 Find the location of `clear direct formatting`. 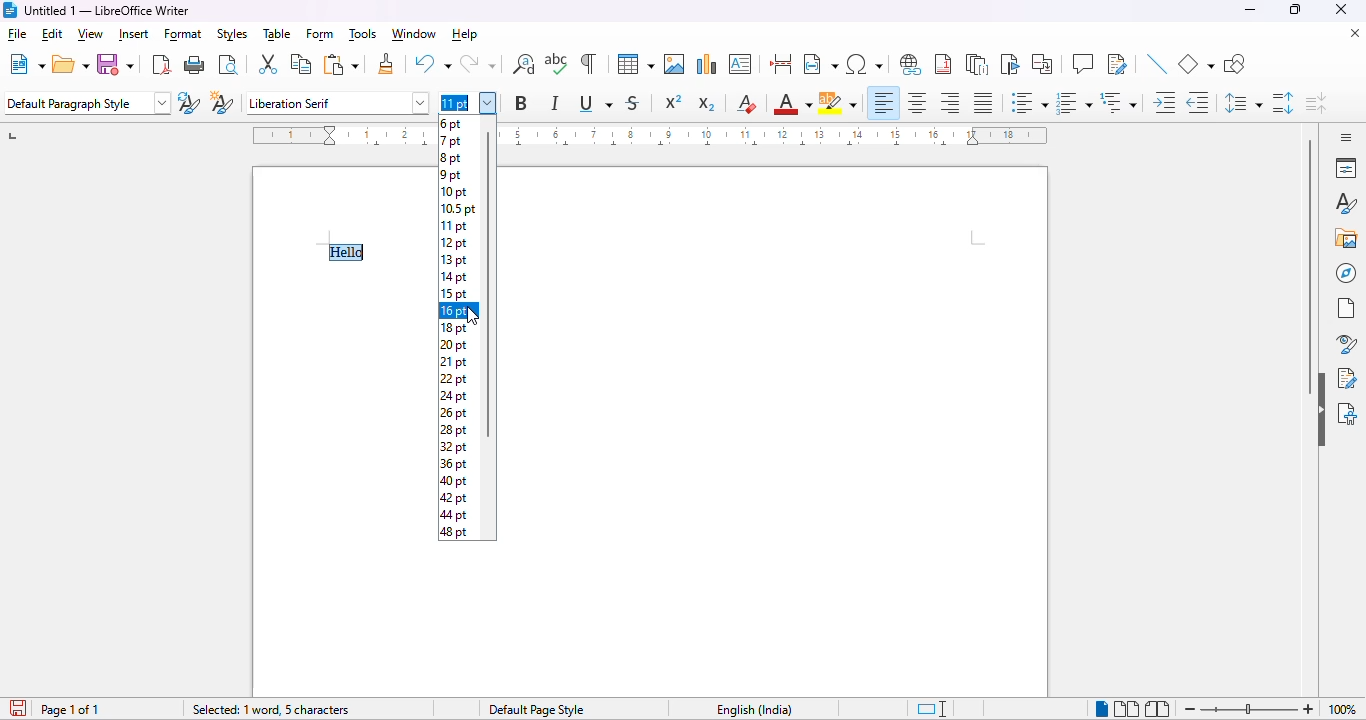

clear direct formatting is located at coordinates (746, 105).